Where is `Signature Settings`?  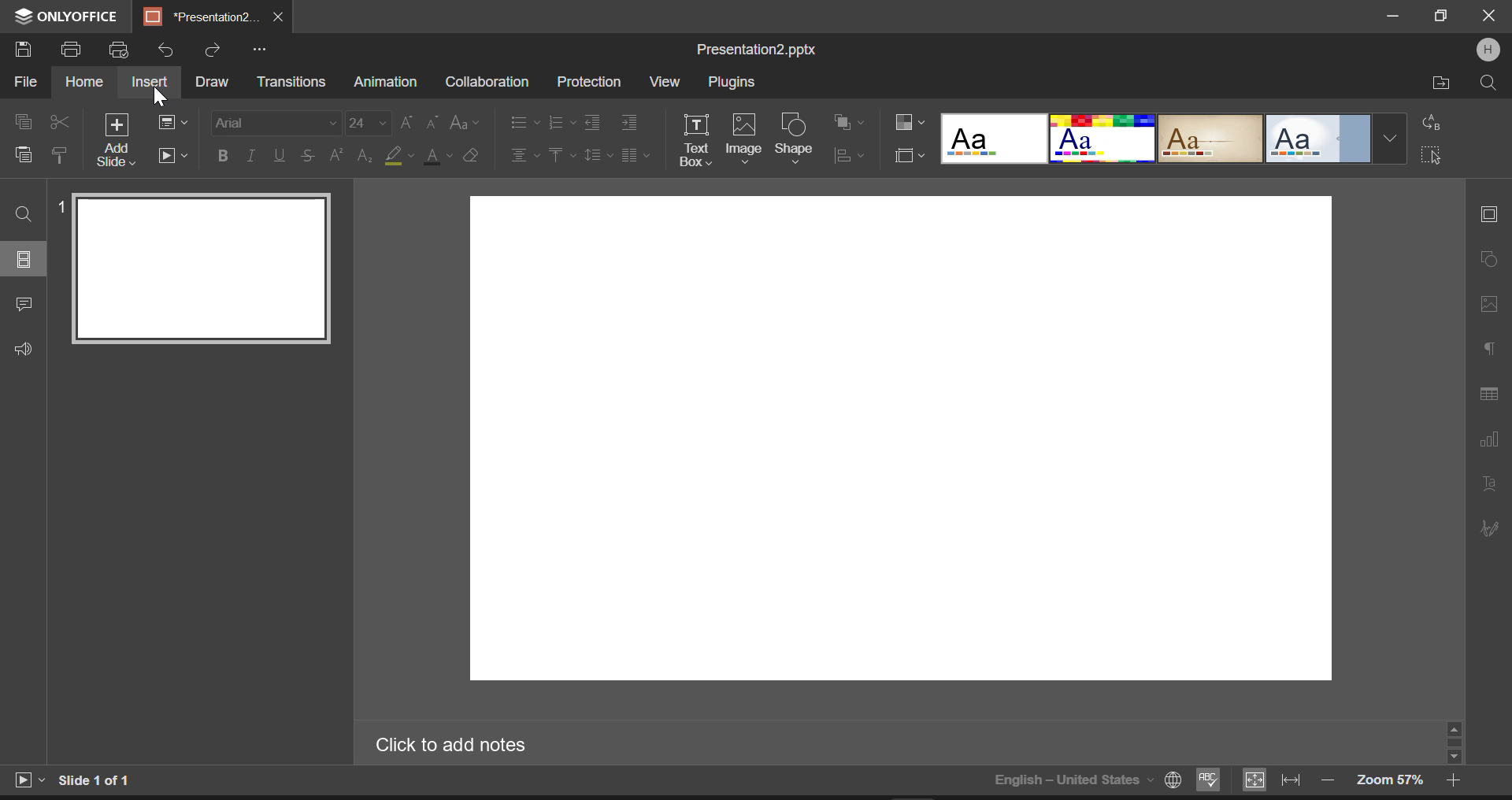 Signature Settings is located at coordinates (1488, 528).